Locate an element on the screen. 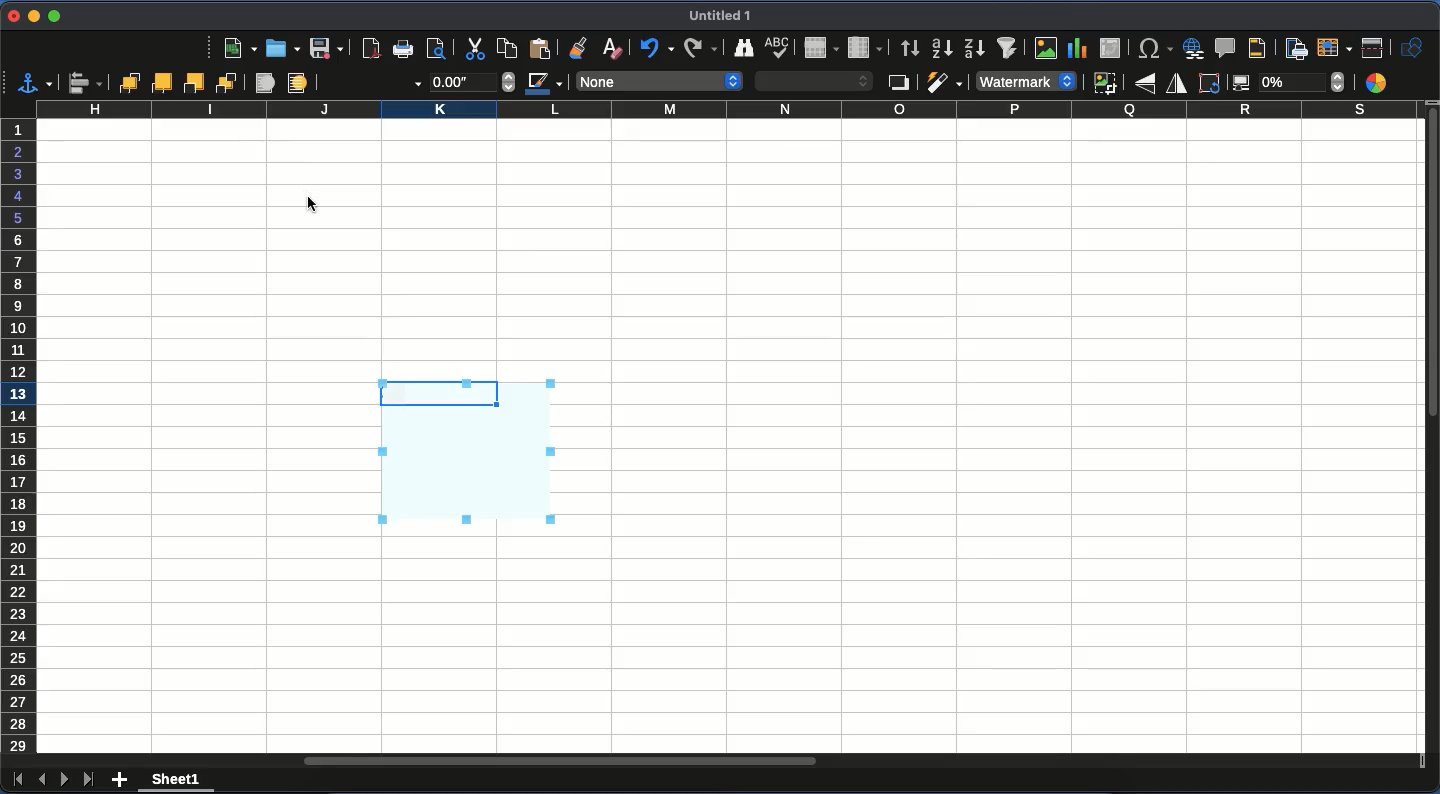  area style / filing is located at coordinates (816, 81).